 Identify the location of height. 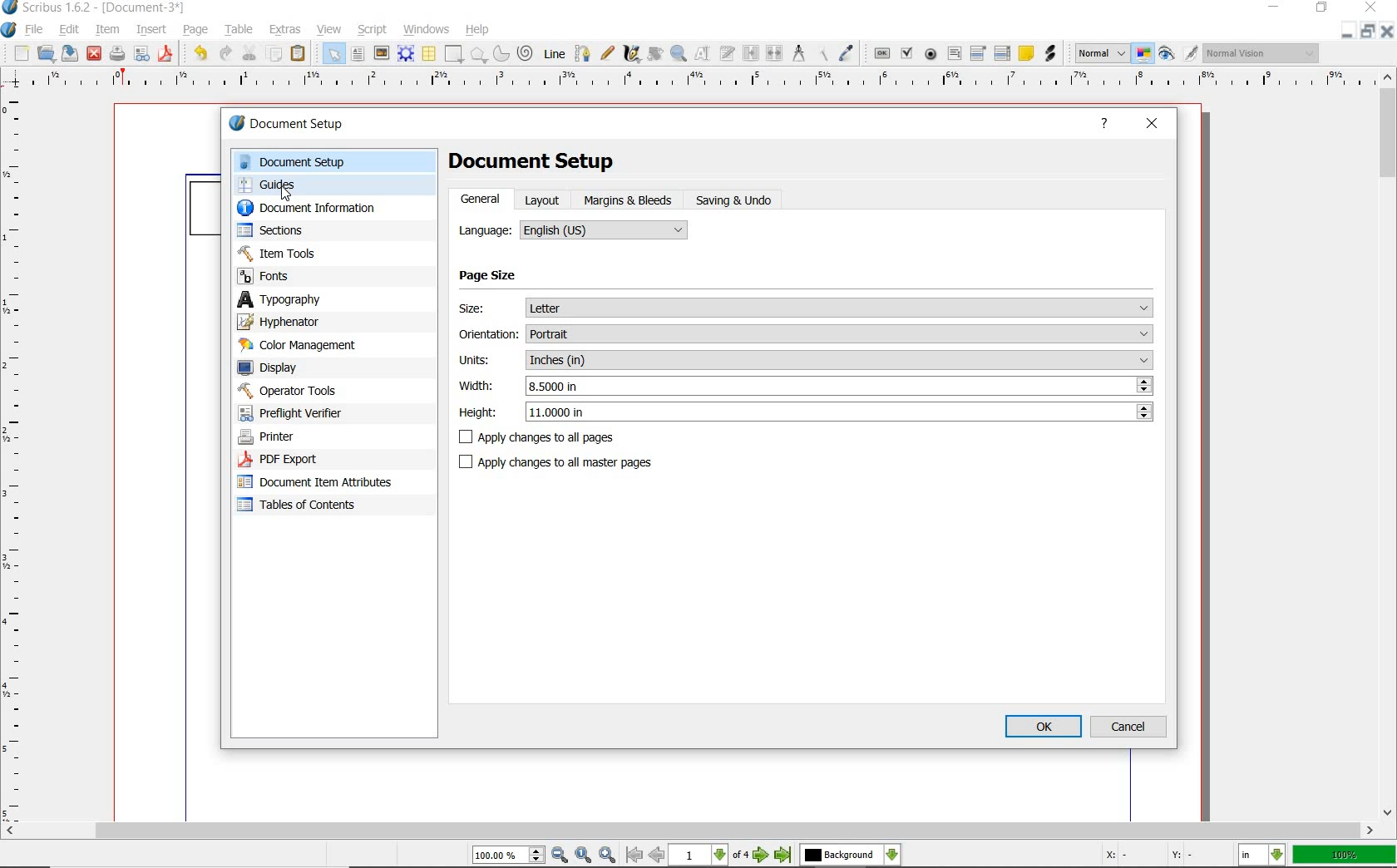
(842, 412).